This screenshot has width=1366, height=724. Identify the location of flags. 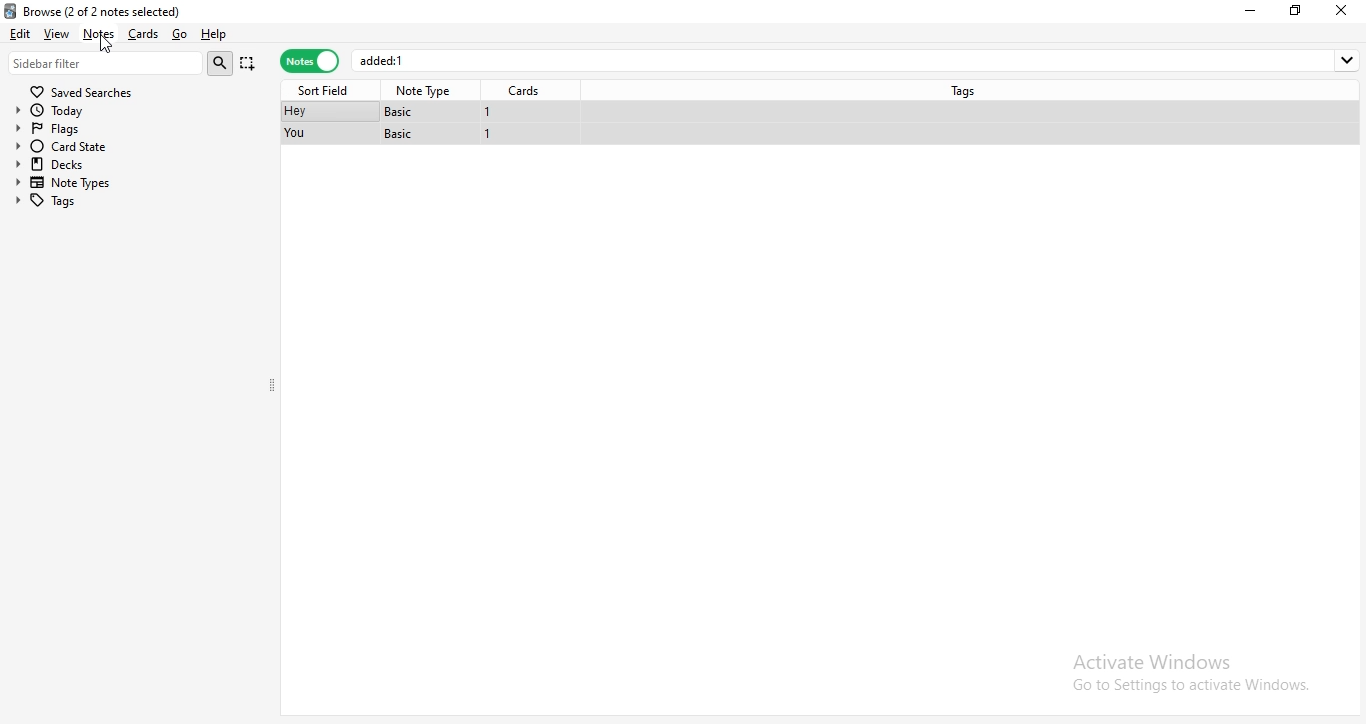
(67, 127).